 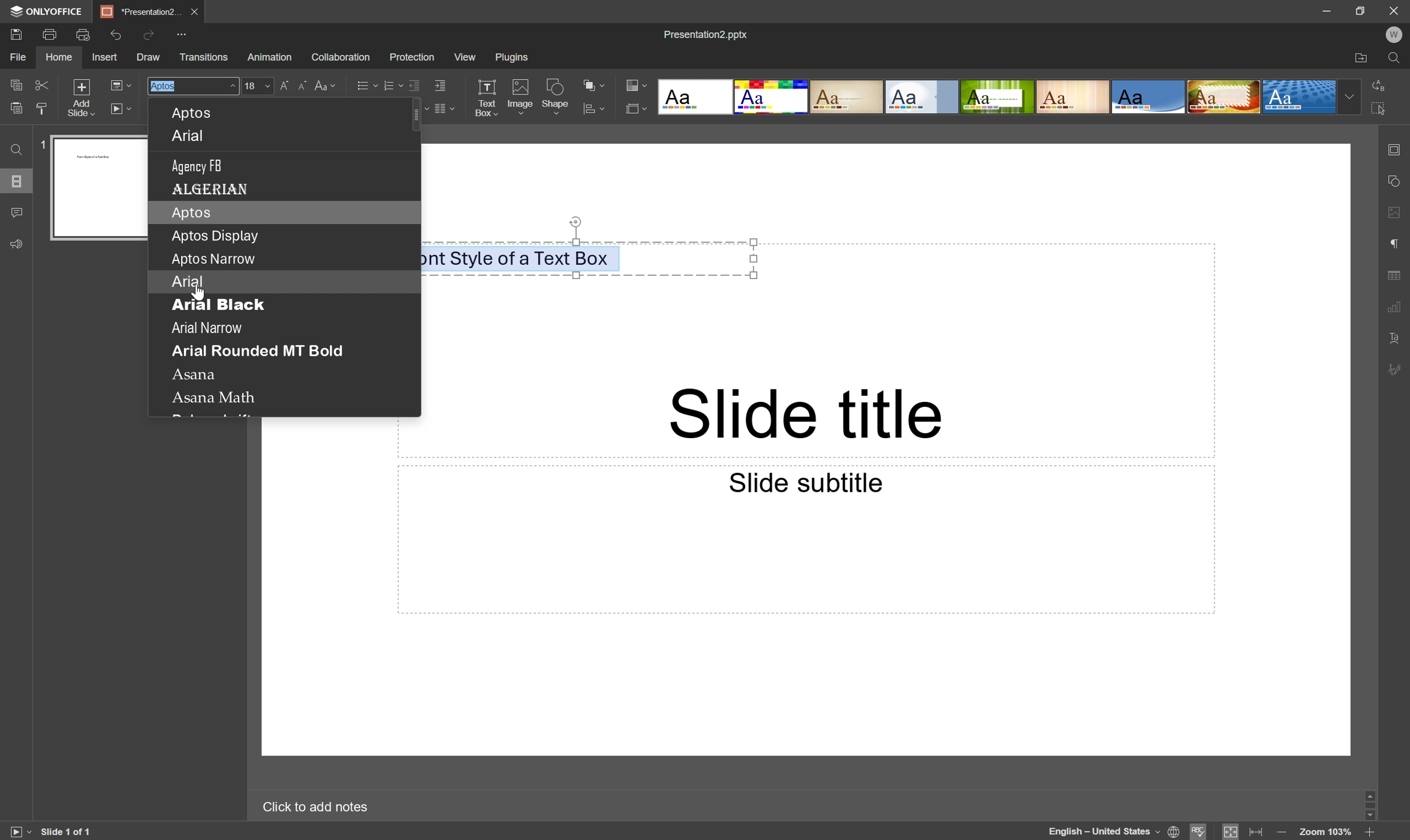 I want to click on Find, so click(x=1396, y=57).